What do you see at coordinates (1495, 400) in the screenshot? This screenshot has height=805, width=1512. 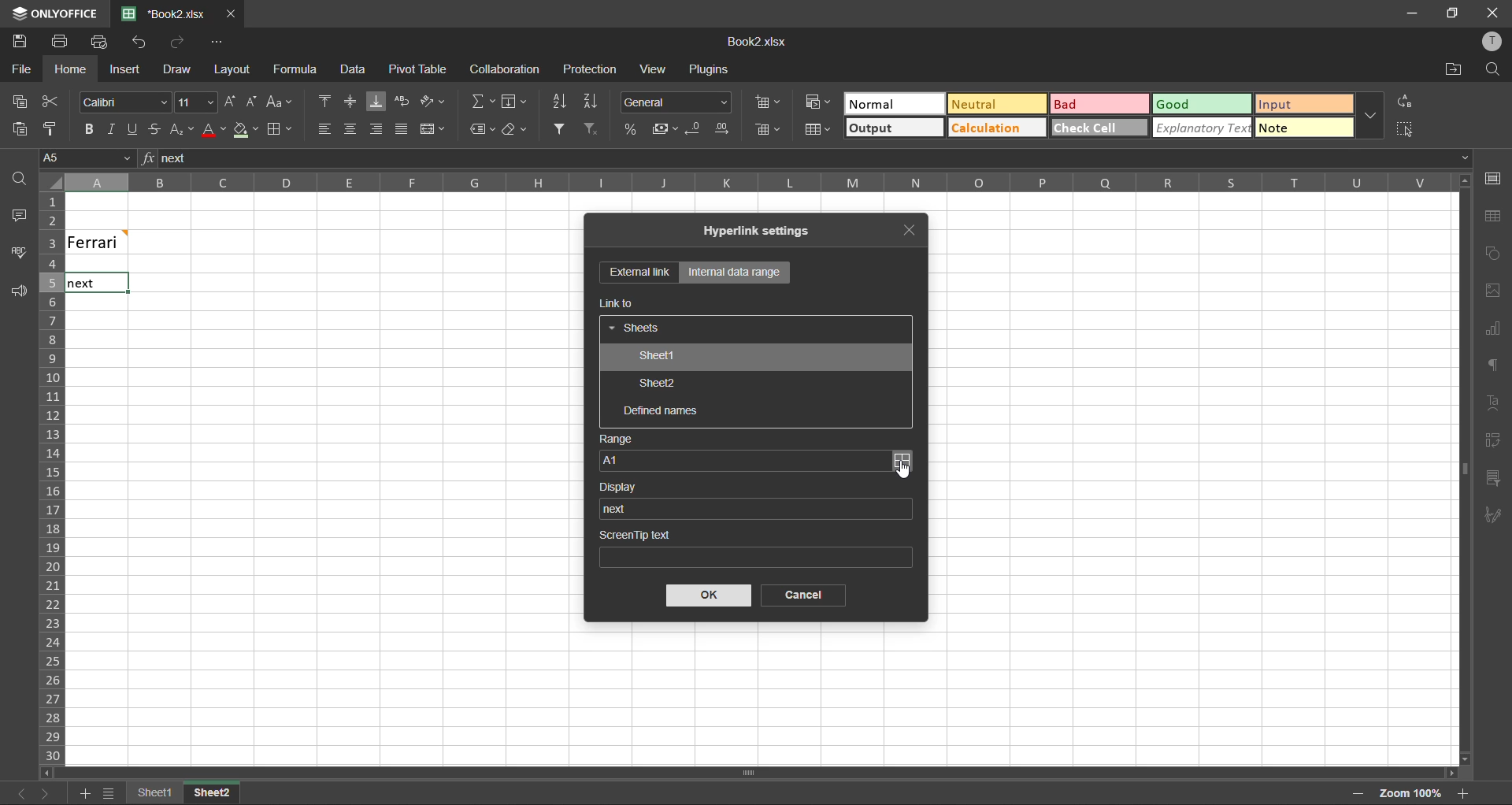 I see `text` at bounding box center [1495, 400].